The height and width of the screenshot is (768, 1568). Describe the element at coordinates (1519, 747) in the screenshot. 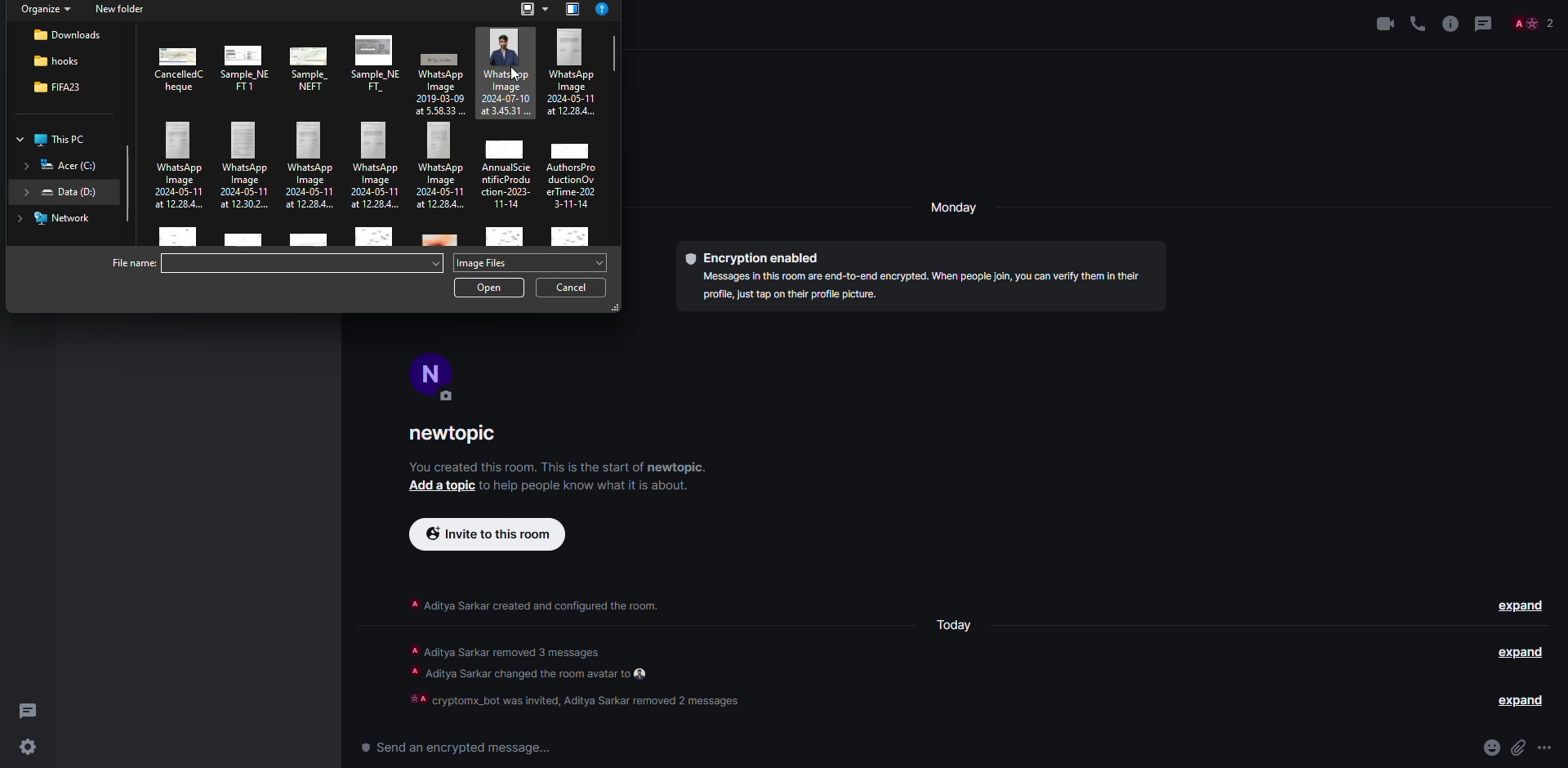

I see `attach` at that location.